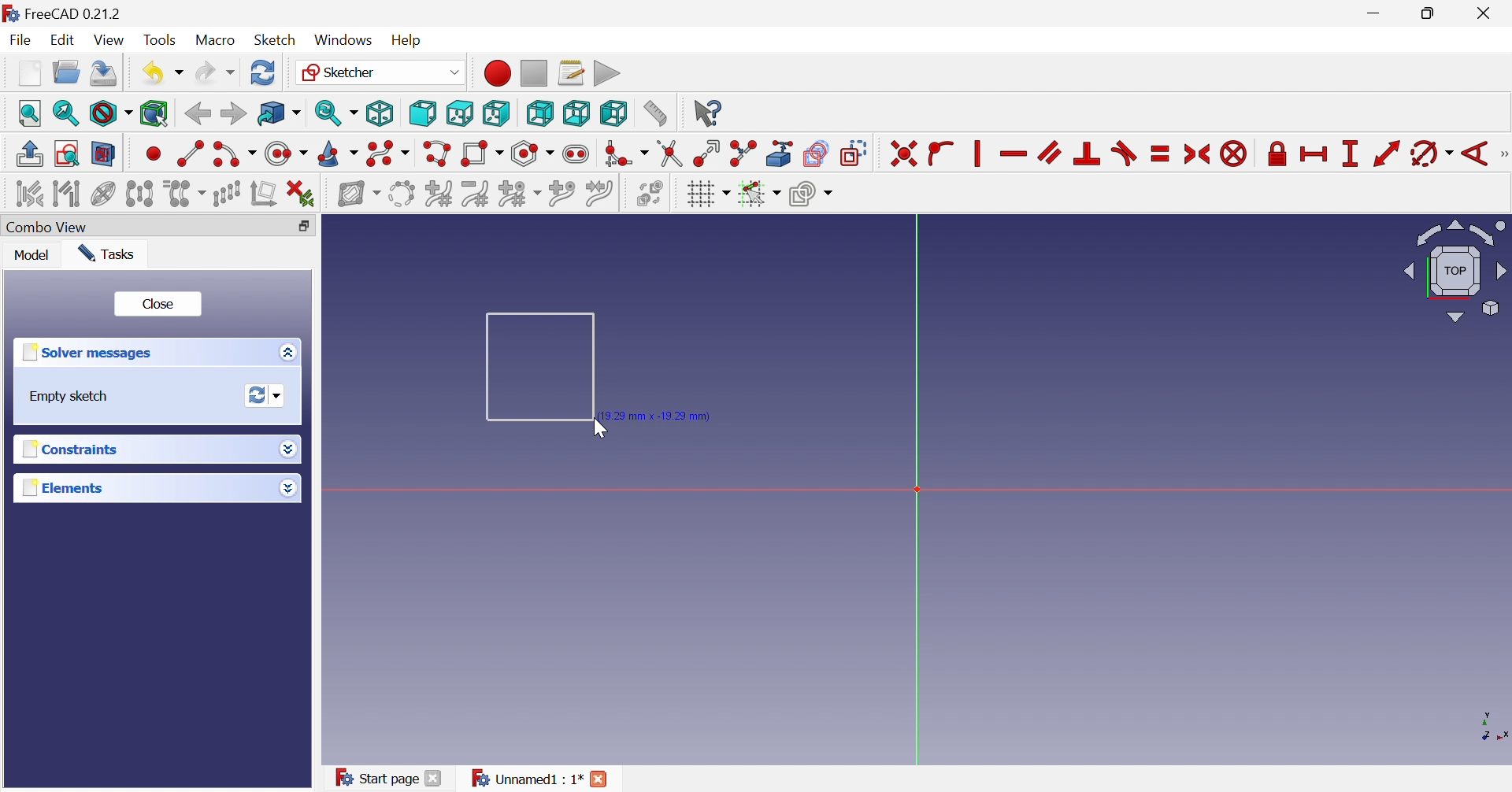  Describe the element at coordinates (1476, 154) in the screenshot. I see `Constrain angle` at that location.